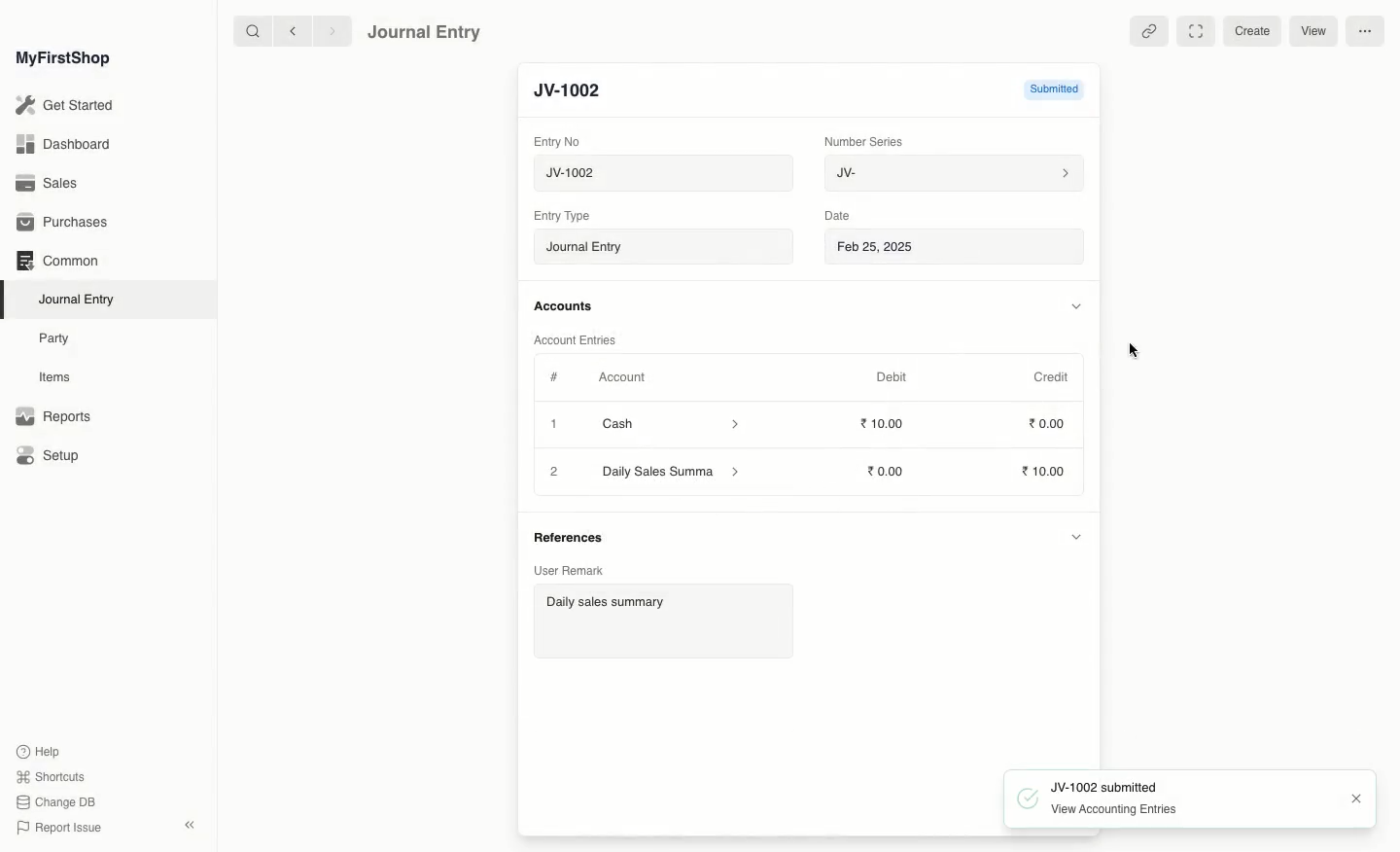  What do you see at coordinates (57, 828) in the screenshot?
I see `Report Issue` at bounding box center [57, 828].